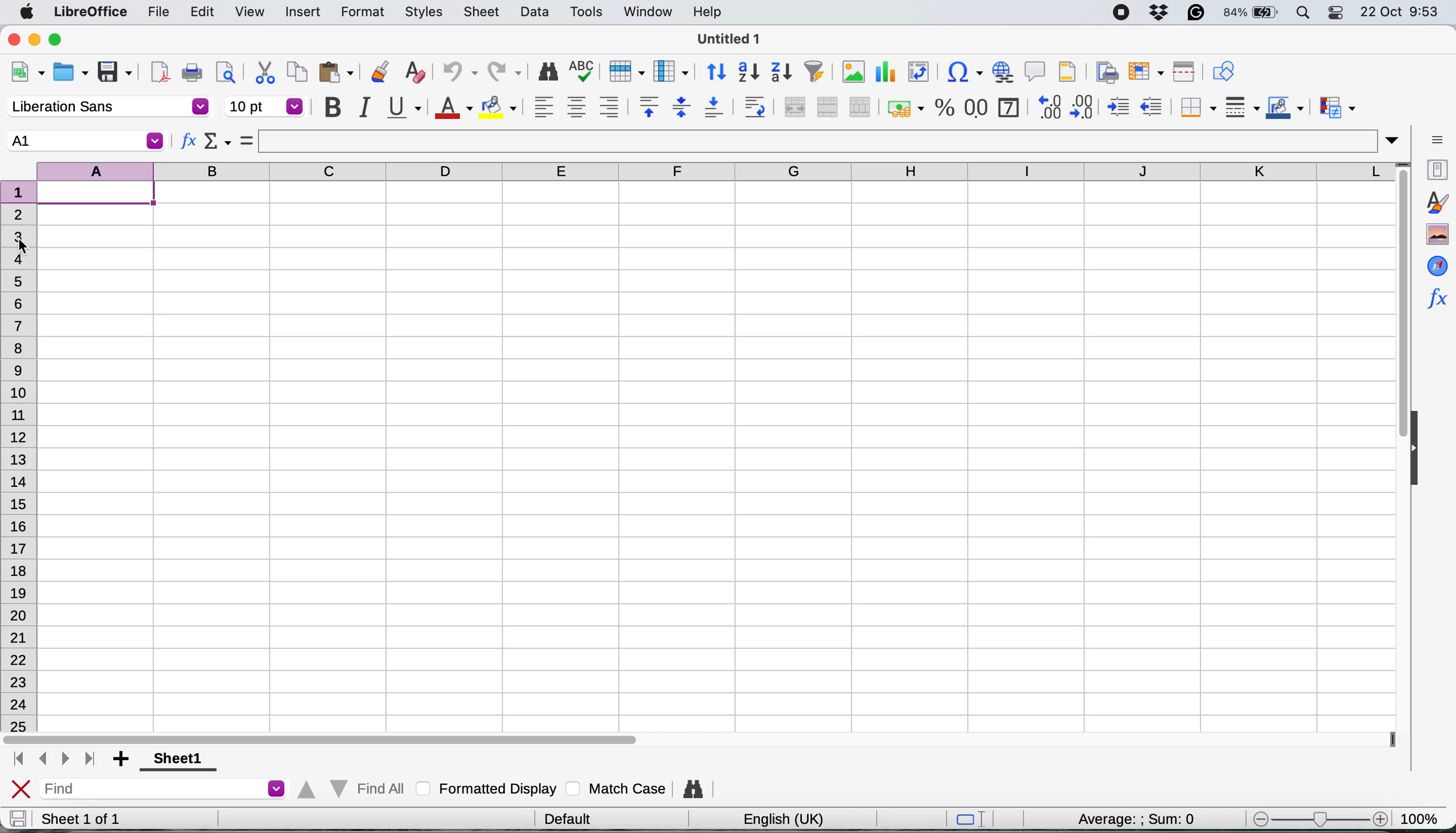 The image size is (1456, 833). Describe the element at coordinates (1437, 138) in the screenshot. I see `sidebar settings` at that location.